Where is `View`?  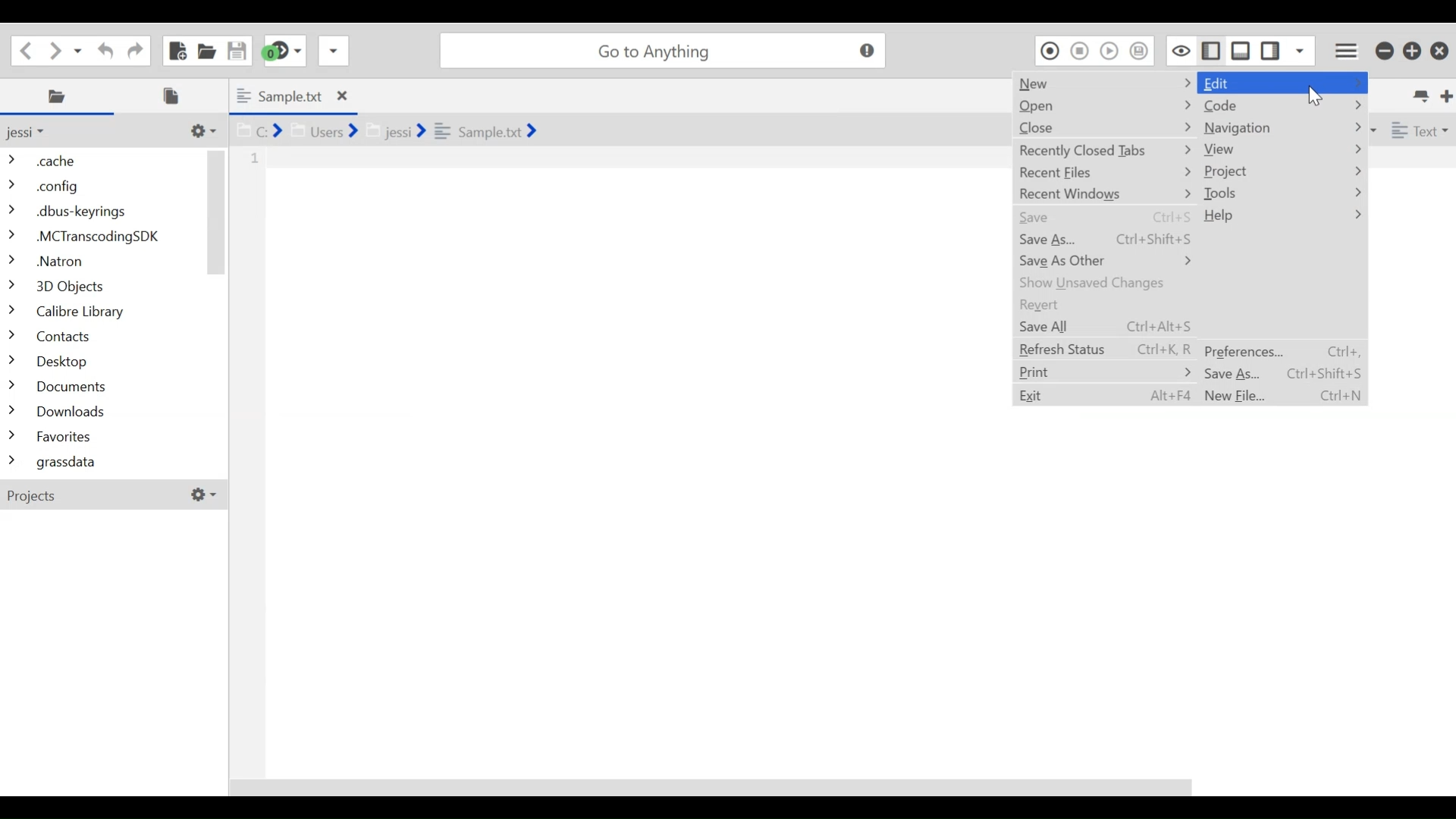
View is located at coordinates (1282, 149).